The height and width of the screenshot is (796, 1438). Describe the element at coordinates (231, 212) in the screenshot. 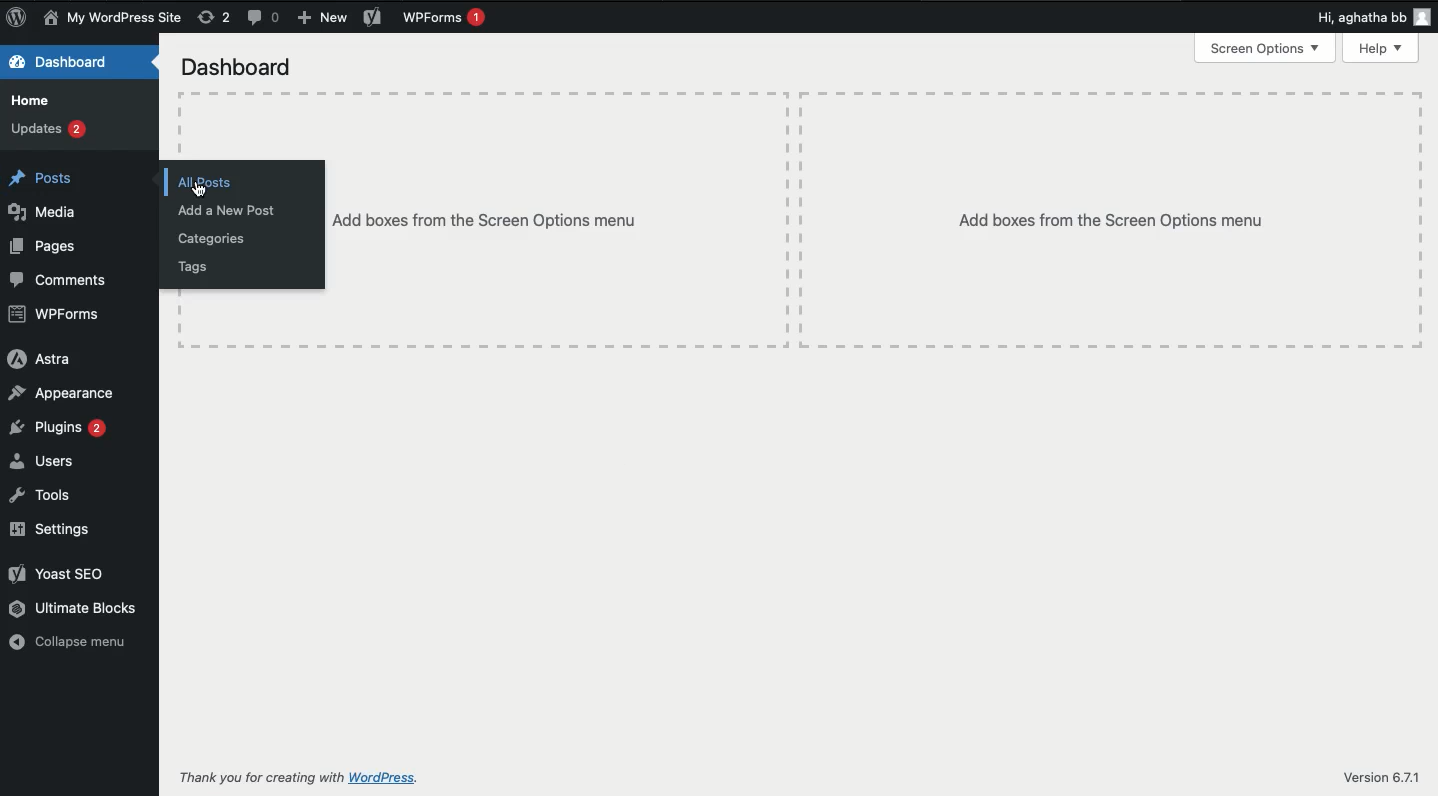

I see `Add a new post` at that location.